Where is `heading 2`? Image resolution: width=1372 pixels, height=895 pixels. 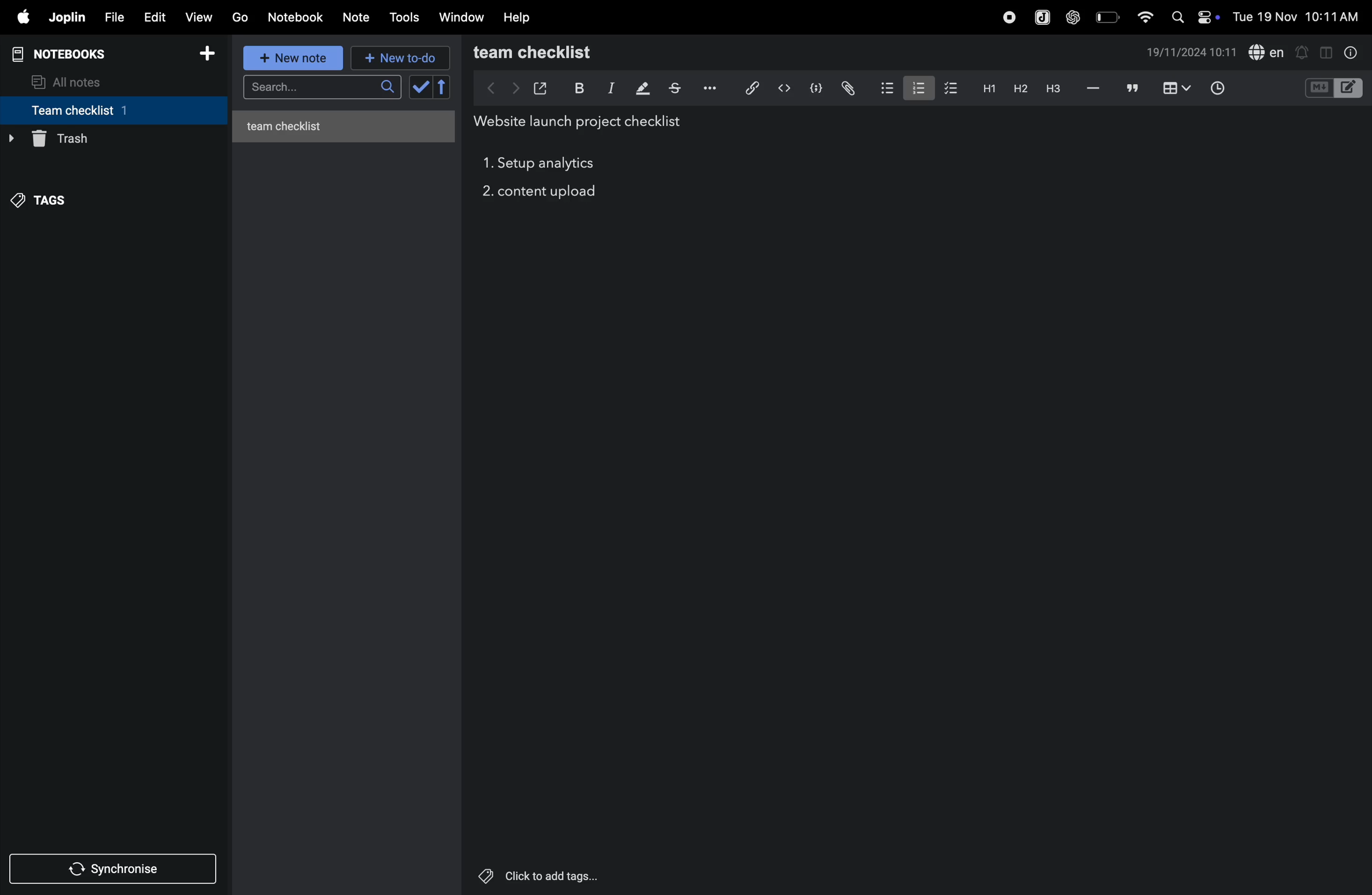
heading 2 is located at coordinates (986, 88).